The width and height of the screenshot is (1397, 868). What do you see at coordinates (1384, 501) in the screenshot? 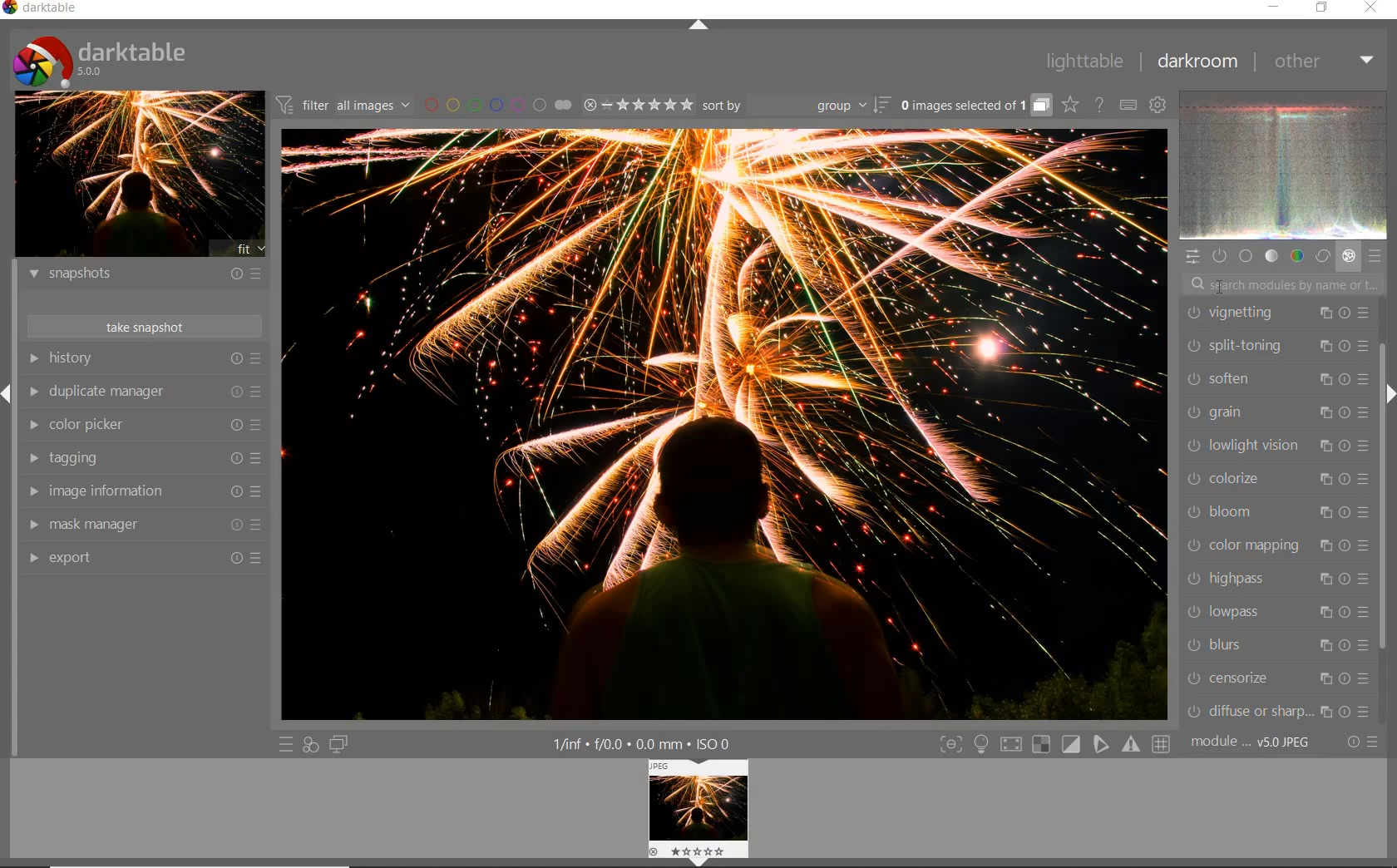
I see `scrollbar` at bounding box center [1384, 501].